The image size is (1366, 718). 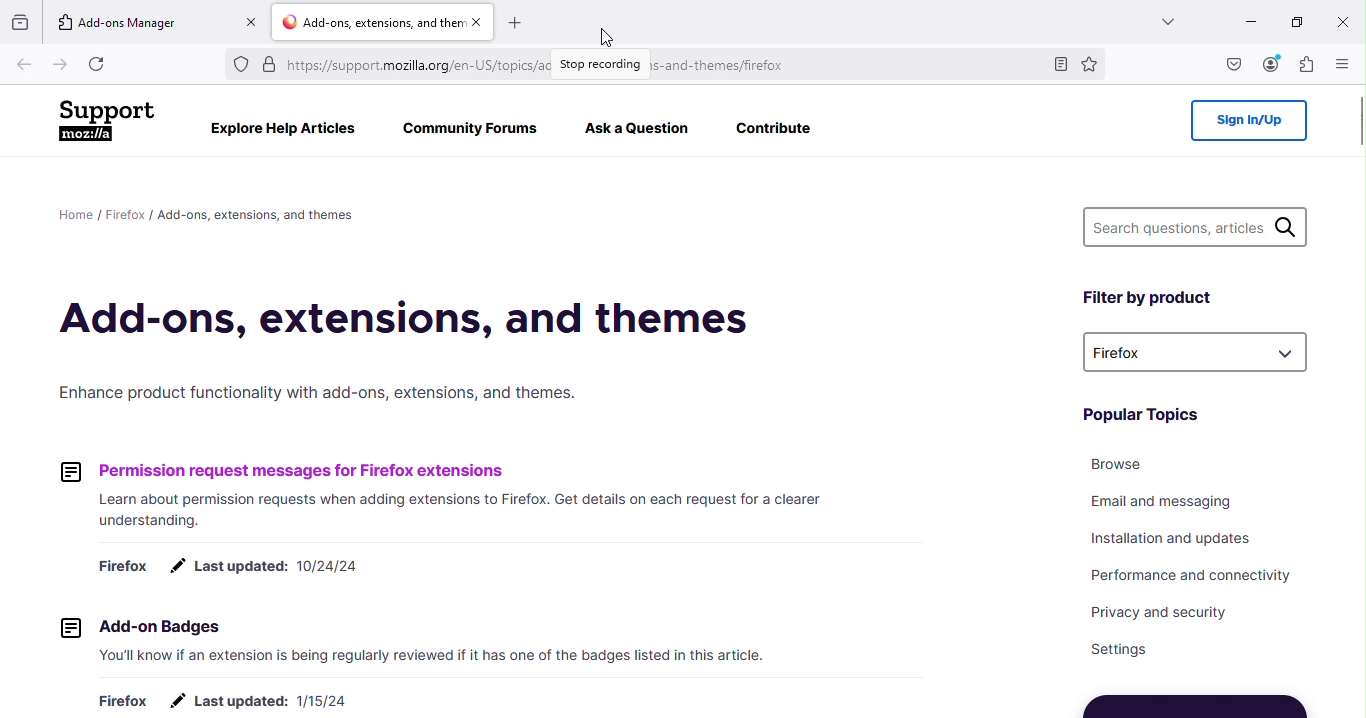 What do you see at coordinates (1305, 61) in the screenshot?
I see `` at bounding box center [1305, 61].